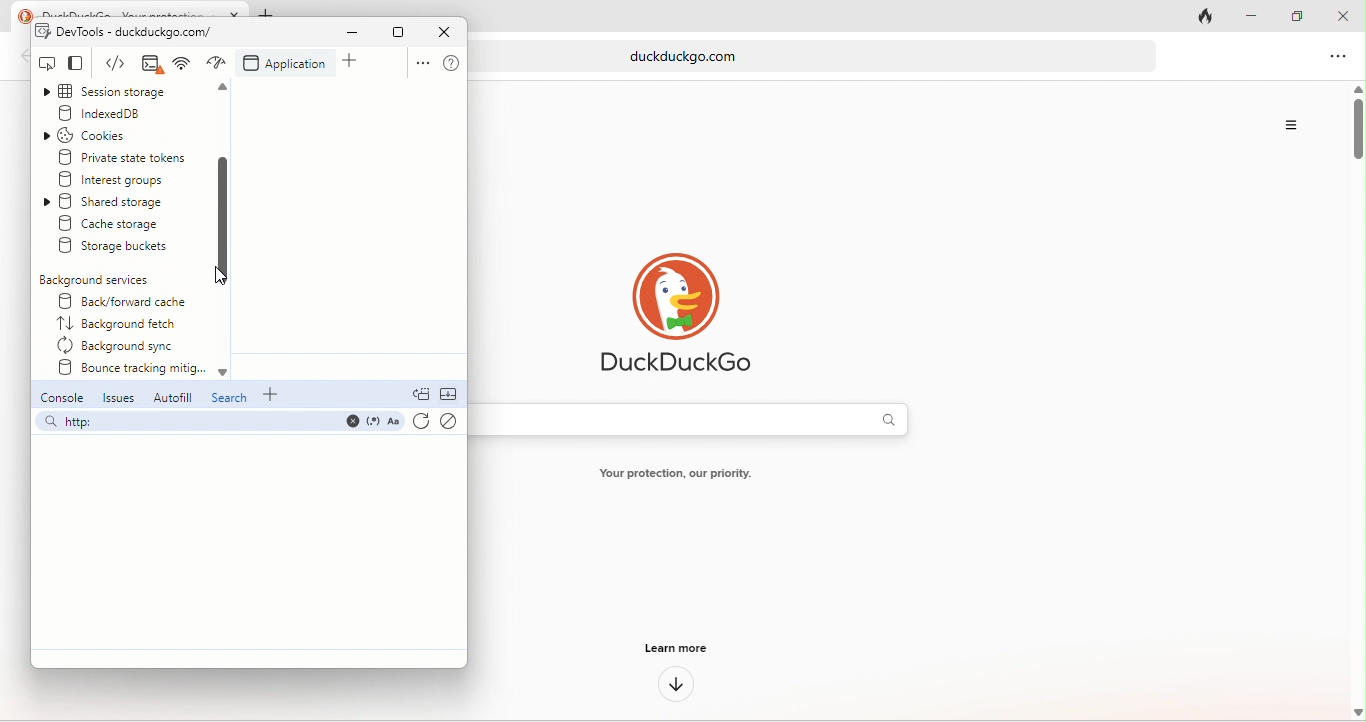 The image size is (1366, 722). What do you see at coordinates (124, 224) in the screenshot?
I see `create storage` at bounding box center [124, 224].